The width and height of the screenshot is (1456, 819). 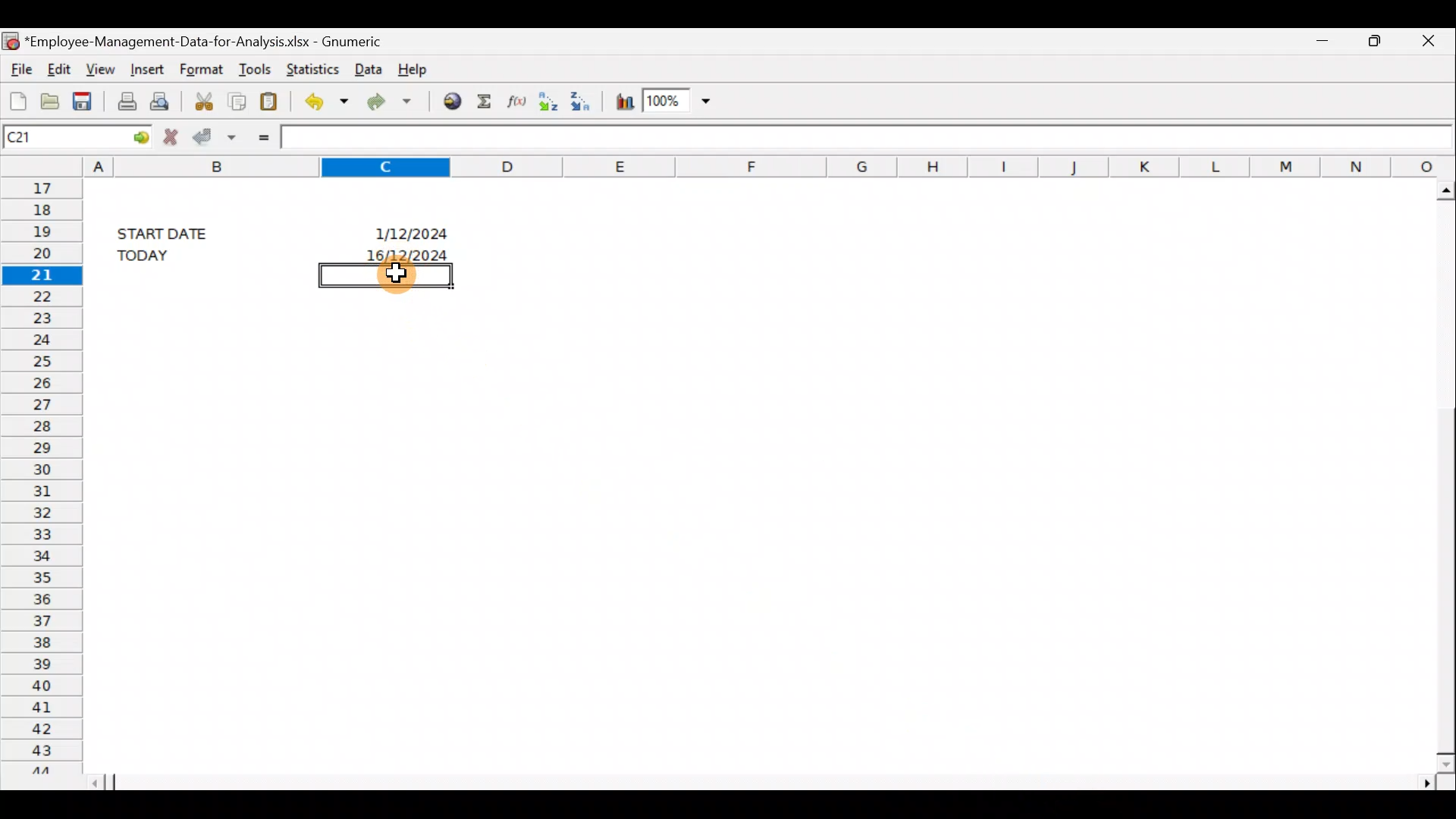 What do you see at coordinates (1323, 44) in the screenshot?
I see `Minimize` at bounding box center [1323, 44].